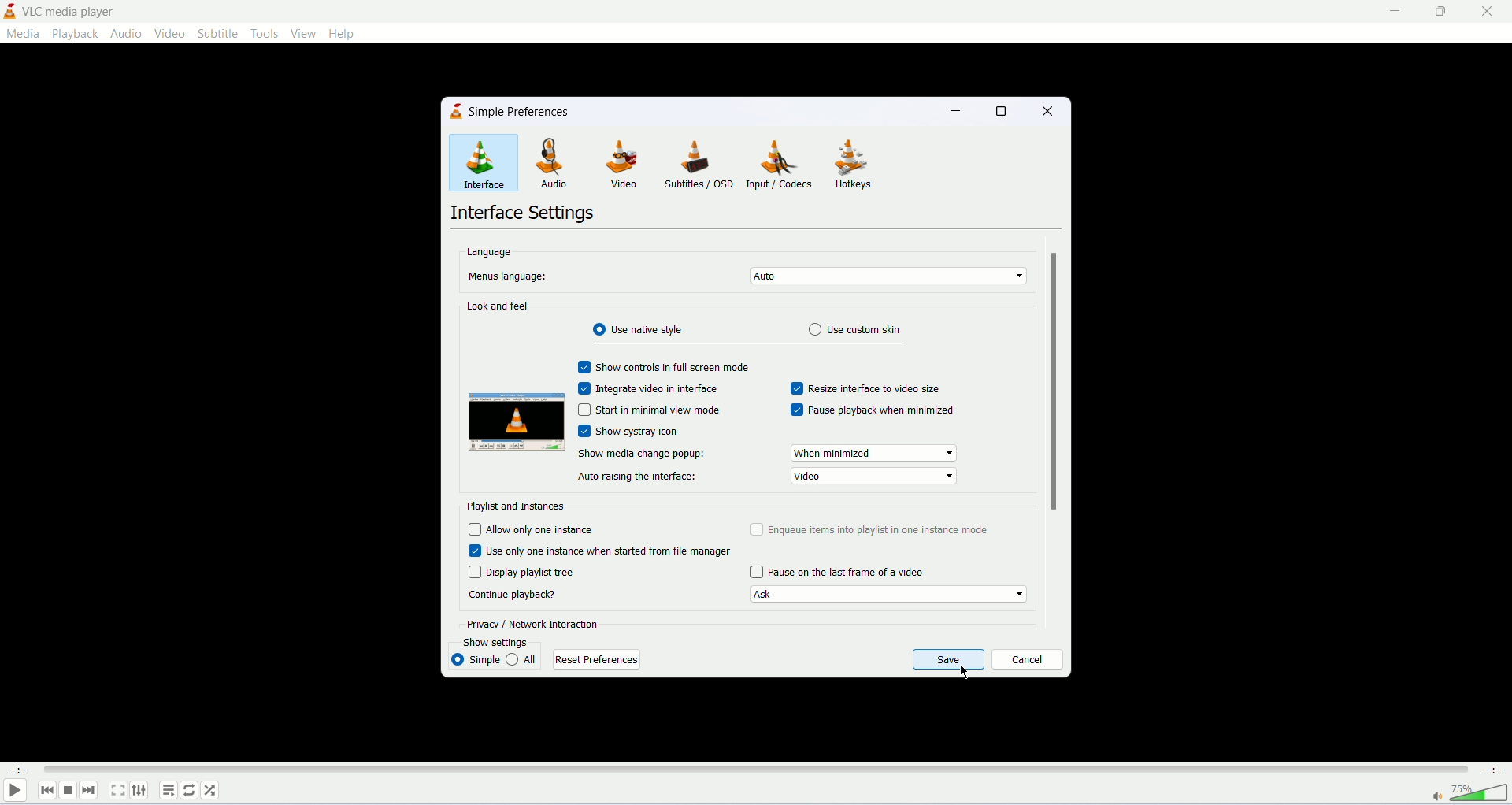  What do you see at coordinates (45, 791) in the screenshot?
I see `previous` at bounding box center [45, 791].